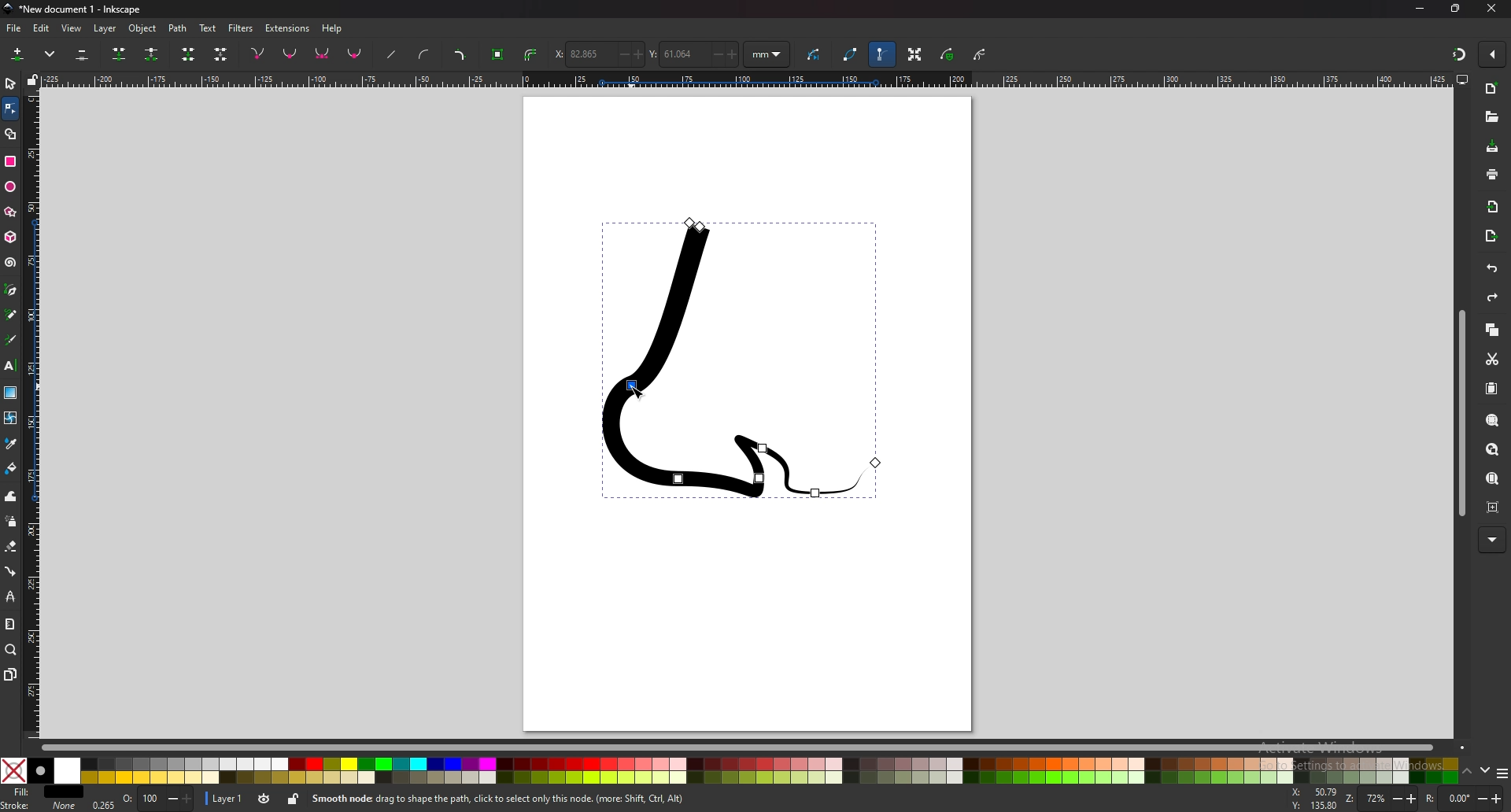 Image resolution: width=1511 pixels, height=812 pixels. Describe the element at coordinates (1492, 235) in the screenshot. I see `export` at that location.